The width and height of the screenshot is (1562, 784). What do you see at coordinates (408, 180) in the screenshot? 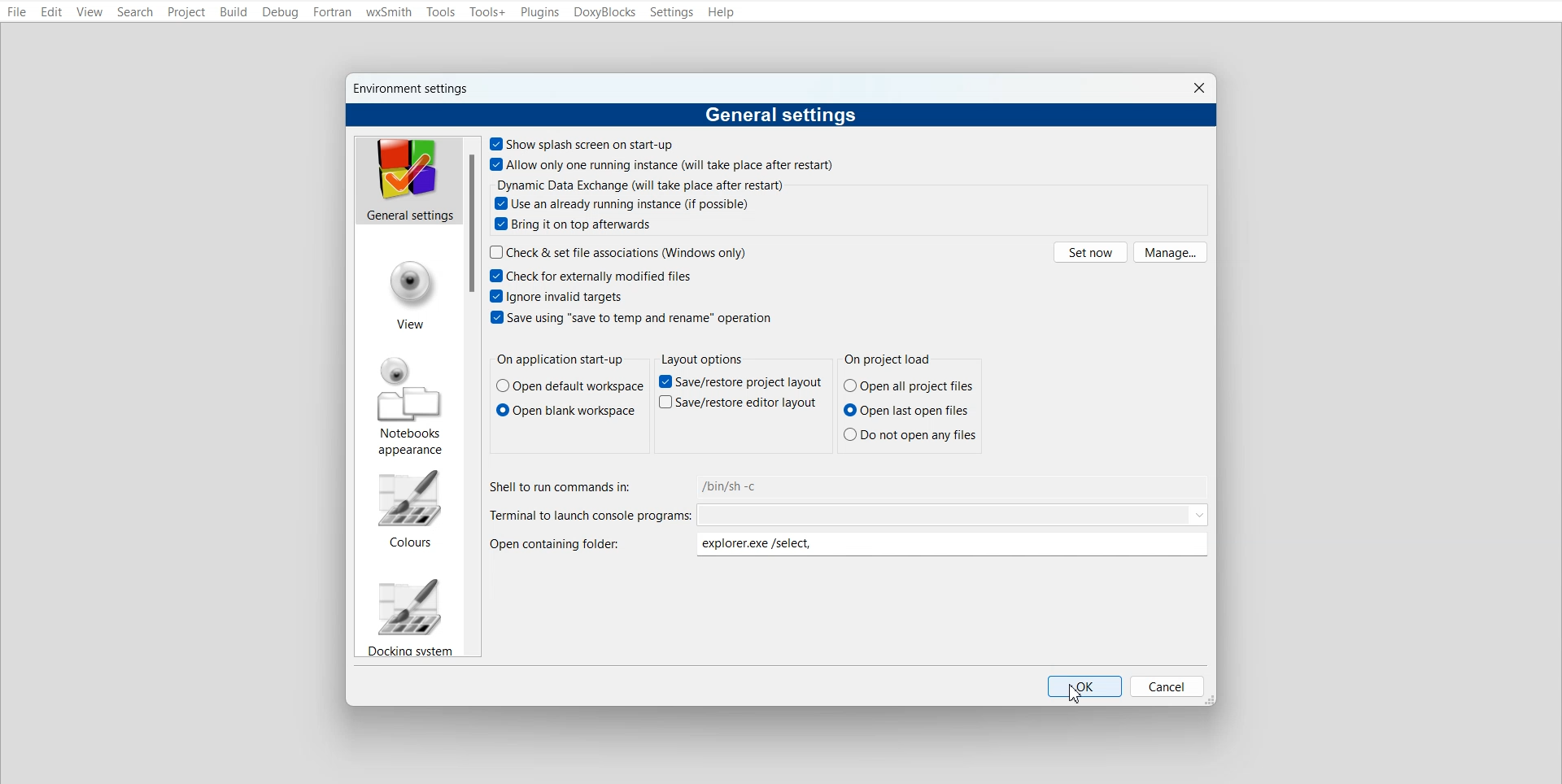
I see `General settings` at bounding box center [408, 180].